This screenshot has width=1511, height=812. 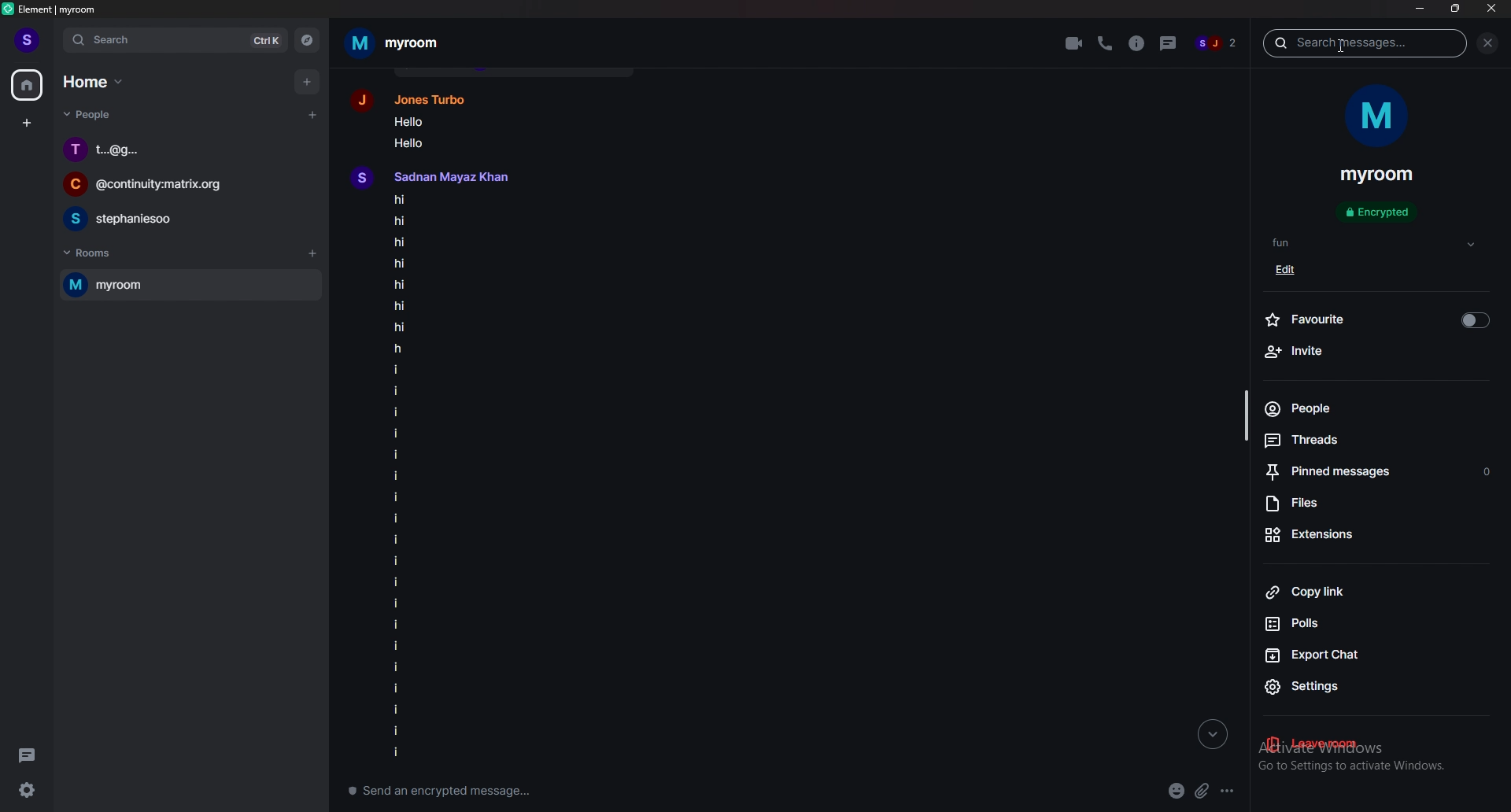 What do you see at coordinates (1217, 43) in the screenshot?
I see `members` at bounding box center [1217, 43].